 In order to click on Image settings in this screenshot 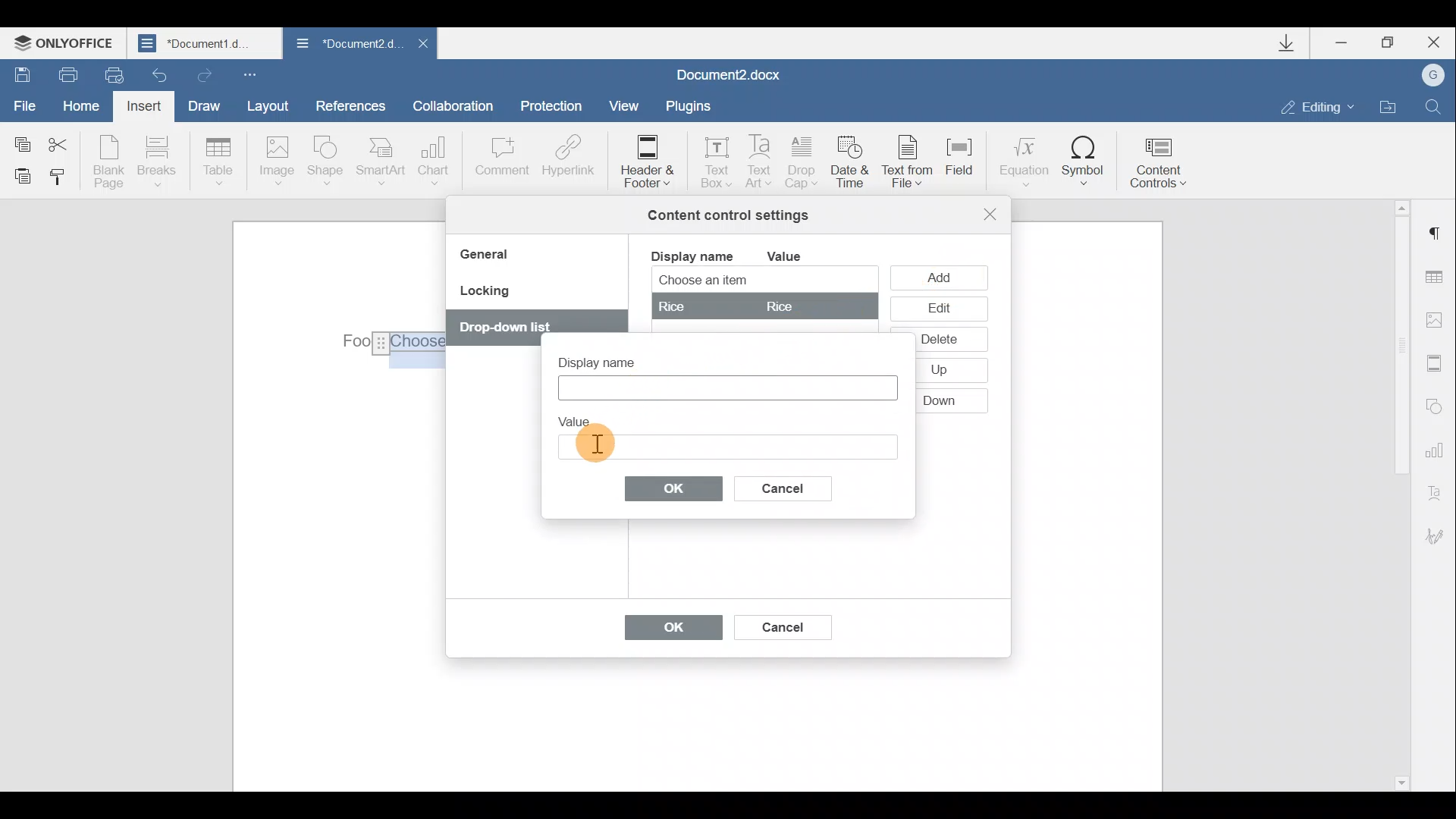, I will do `click(1438, 320)`.